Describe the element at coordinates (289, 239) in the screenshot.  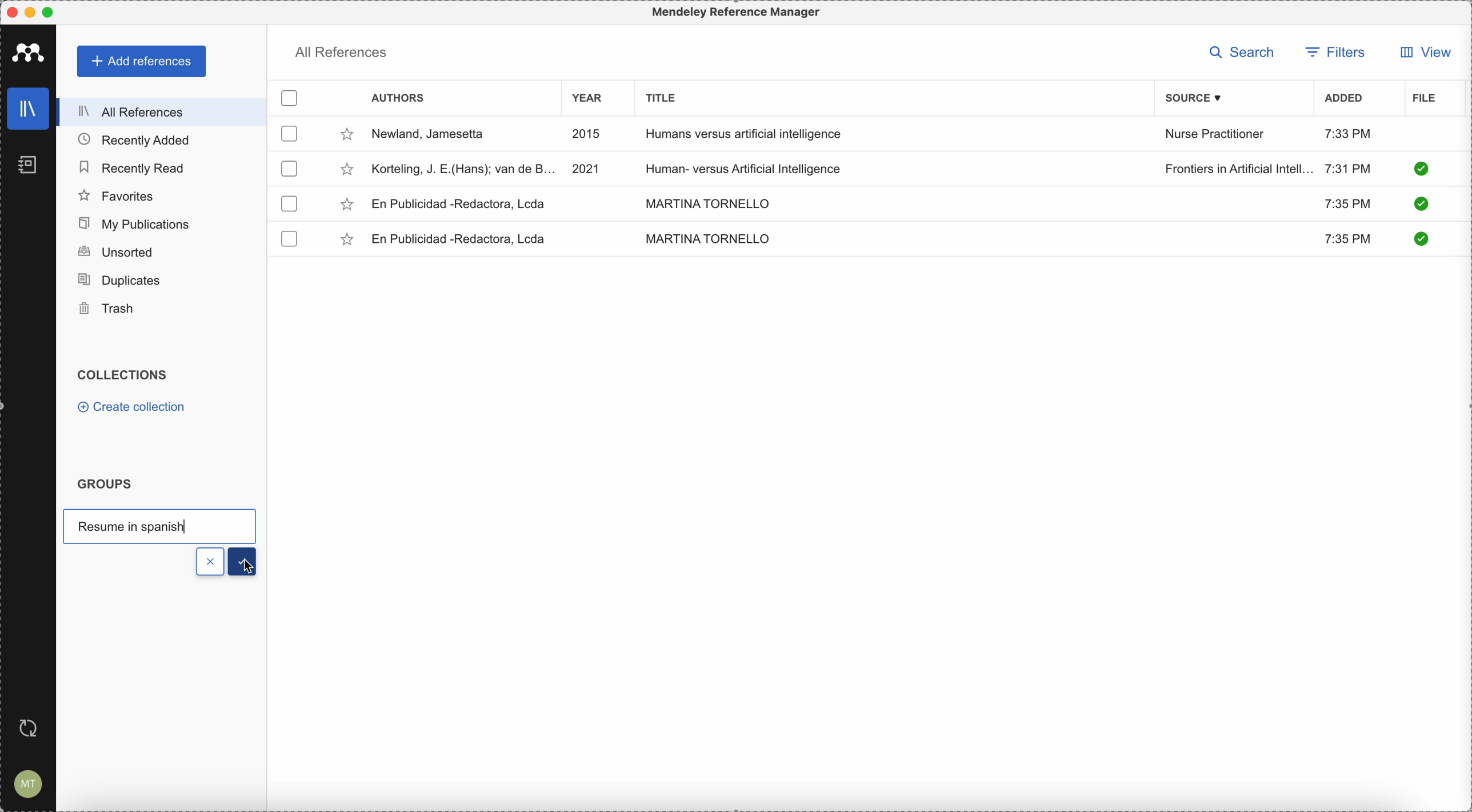
I see `checkbox` at that location.